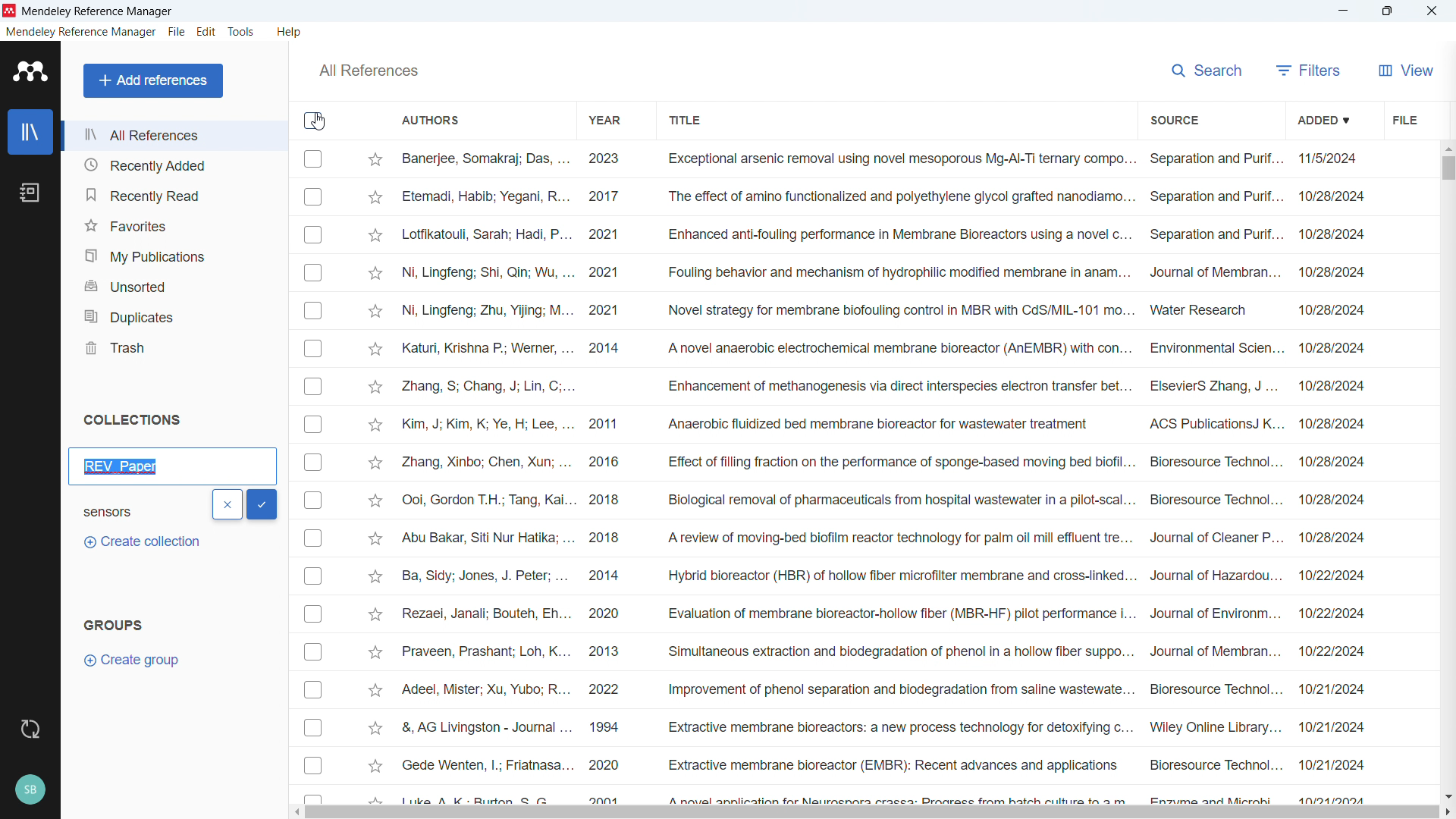 Image resolution: width=1456 pixels, height=819 pixels. I want to click on Scroll up , so click(1447, 147).